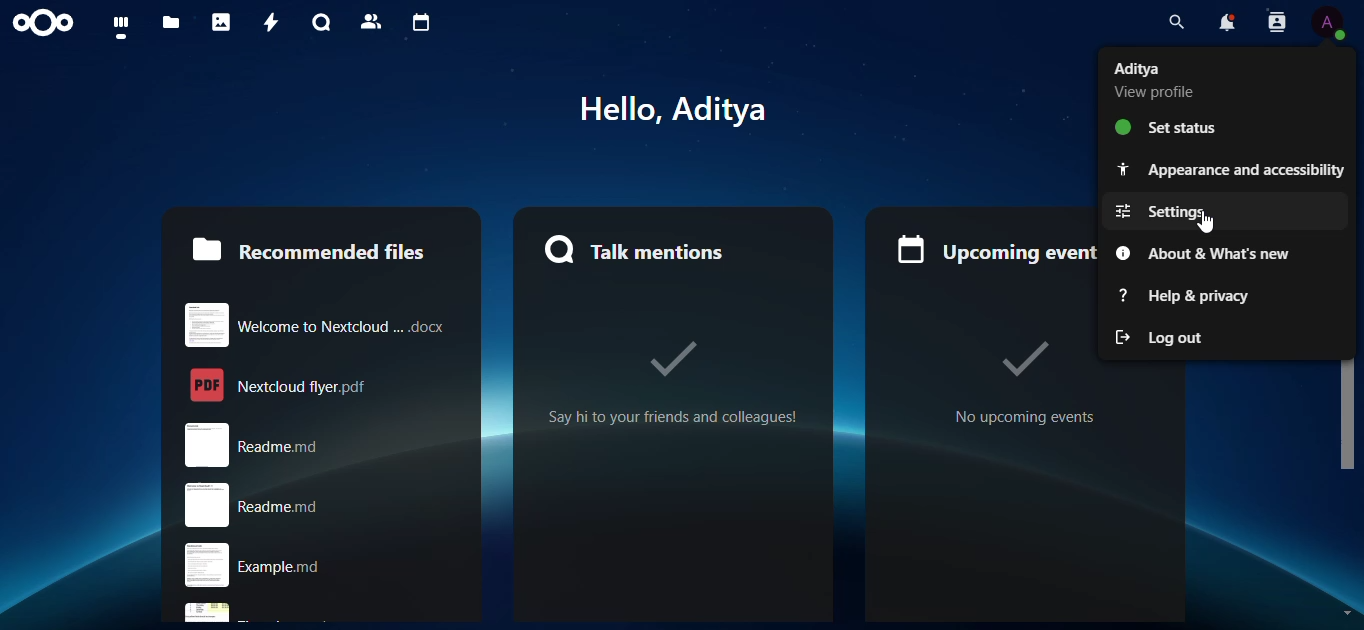  What do you see at coordinates (222, 22) in the screenshot?
I see `photos` at bounding box center [222, 22].